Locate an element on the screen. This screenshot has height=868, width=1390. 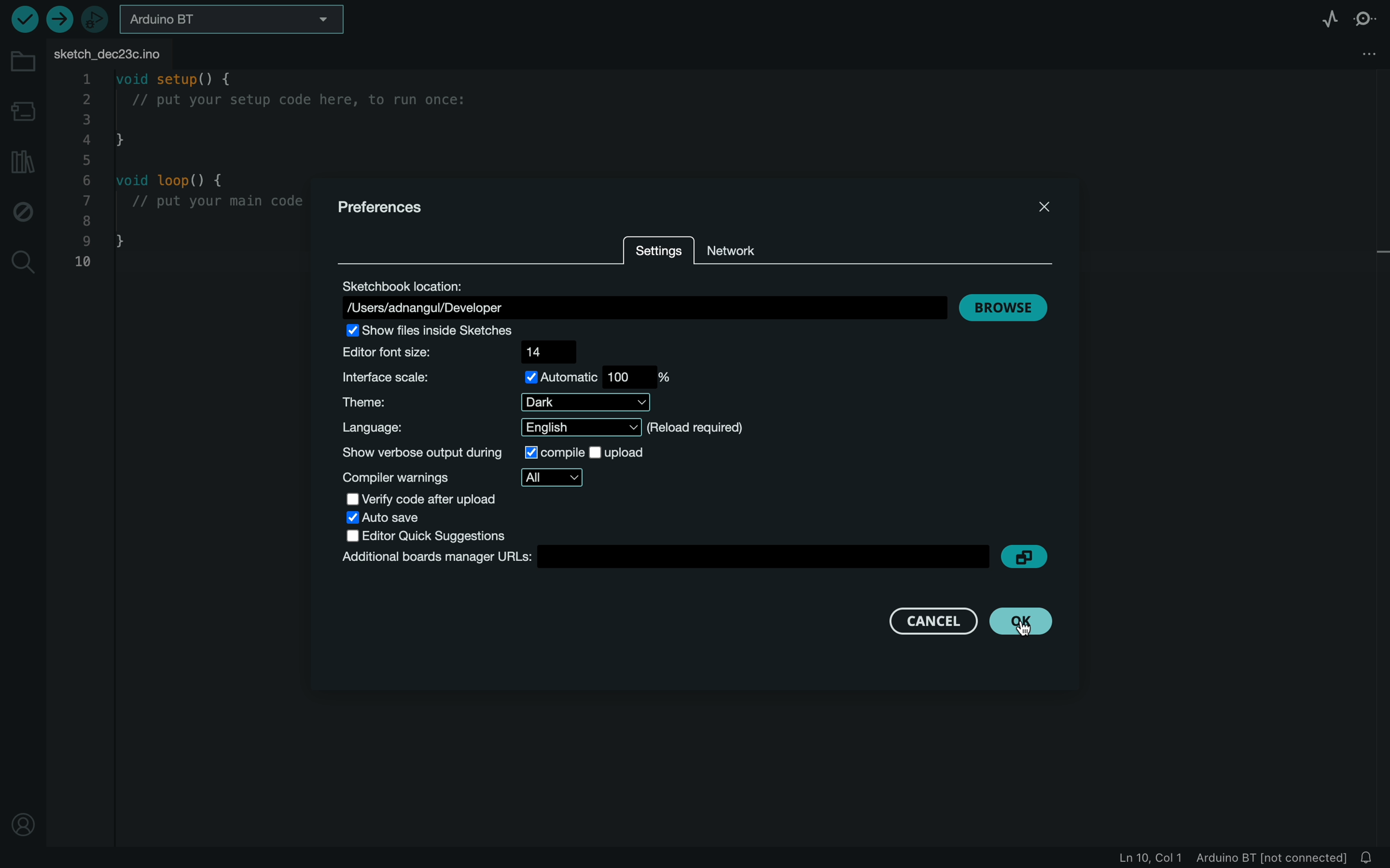
language is located at coordinates (539, 428).